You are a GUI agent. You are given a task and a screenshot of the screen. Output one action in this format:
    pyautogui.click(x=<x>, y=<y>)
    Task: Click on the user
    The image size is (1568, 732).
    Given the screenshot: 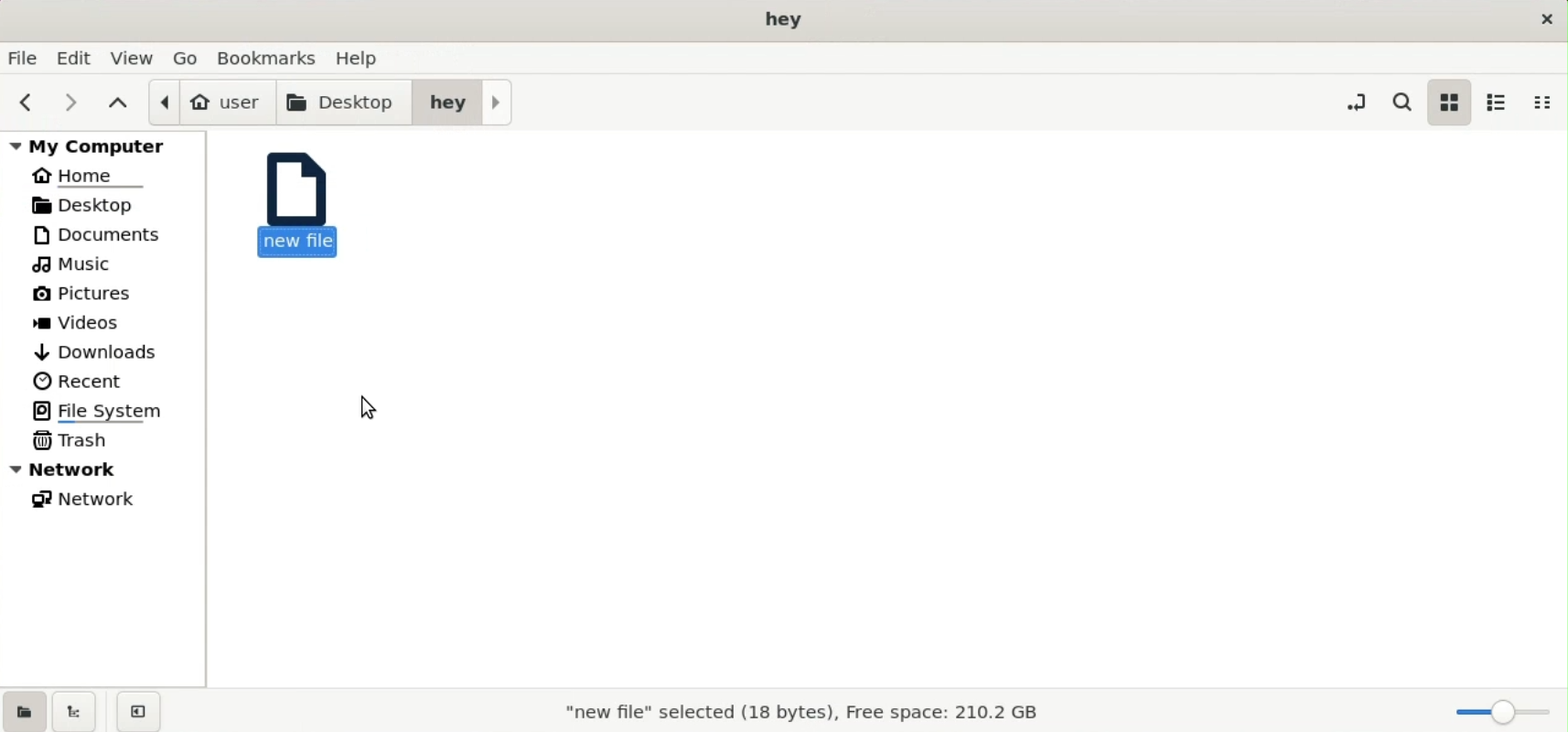 What is the action you would take?
    pyautogui.click(x=210, y=102)
    